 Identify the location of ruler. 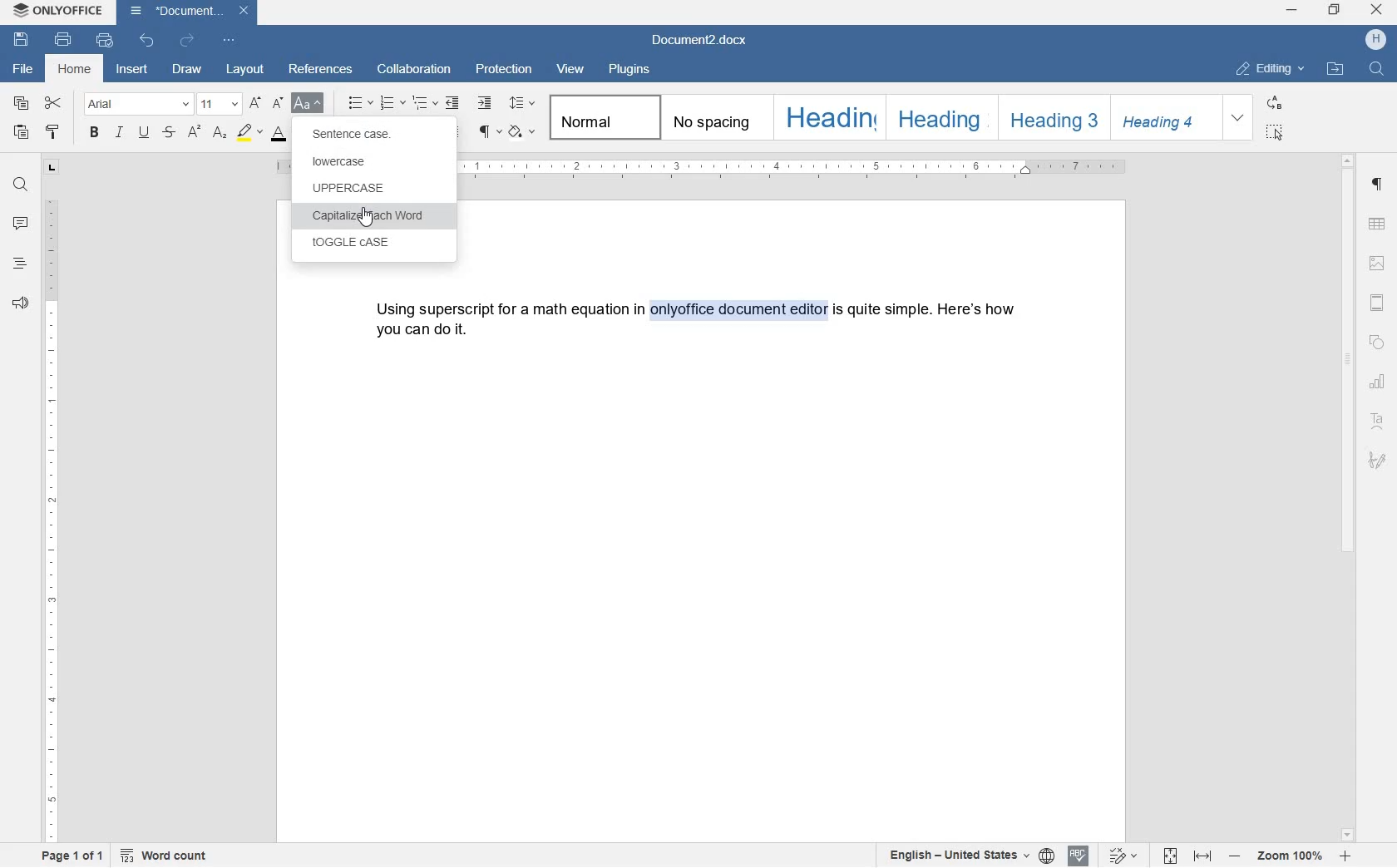
(798, 167).